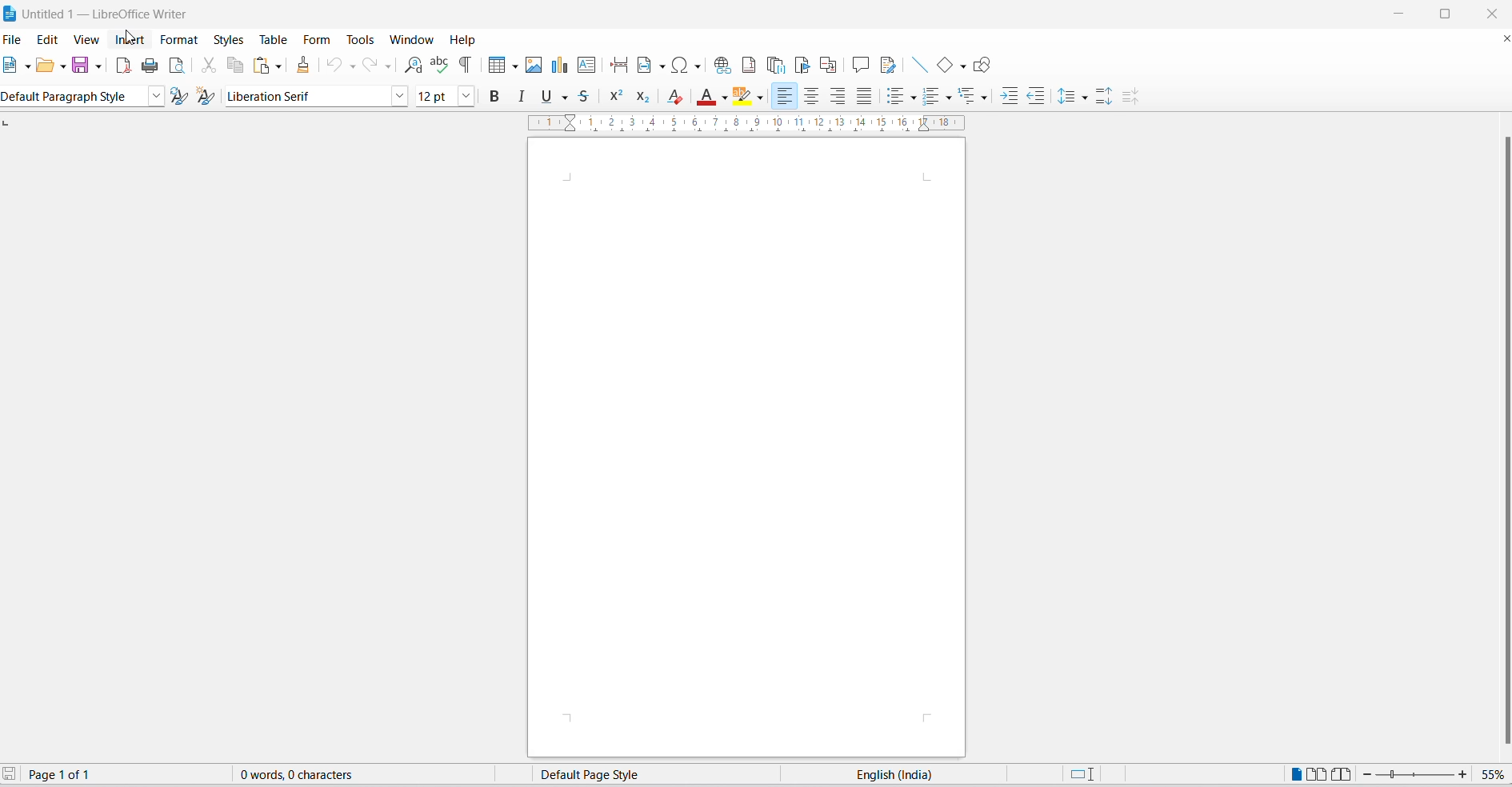 Image resolution: width=1512 pixels, height=787 pixels. I want to click on print preview, so click(178, 66).